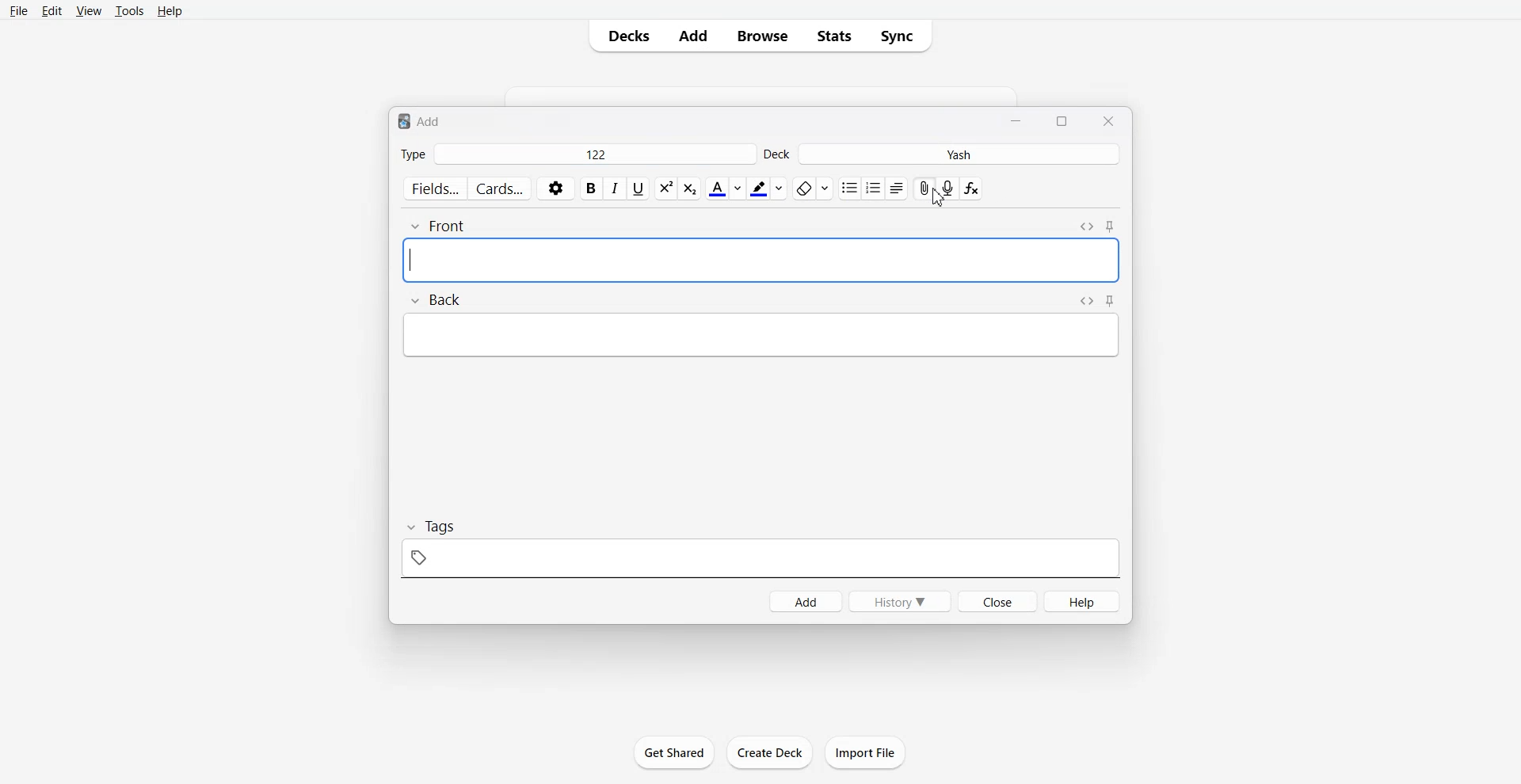  What do you see at coordinates (433, 188) in the screenshot?
I see `Fields` at bounding box center [433, 188].